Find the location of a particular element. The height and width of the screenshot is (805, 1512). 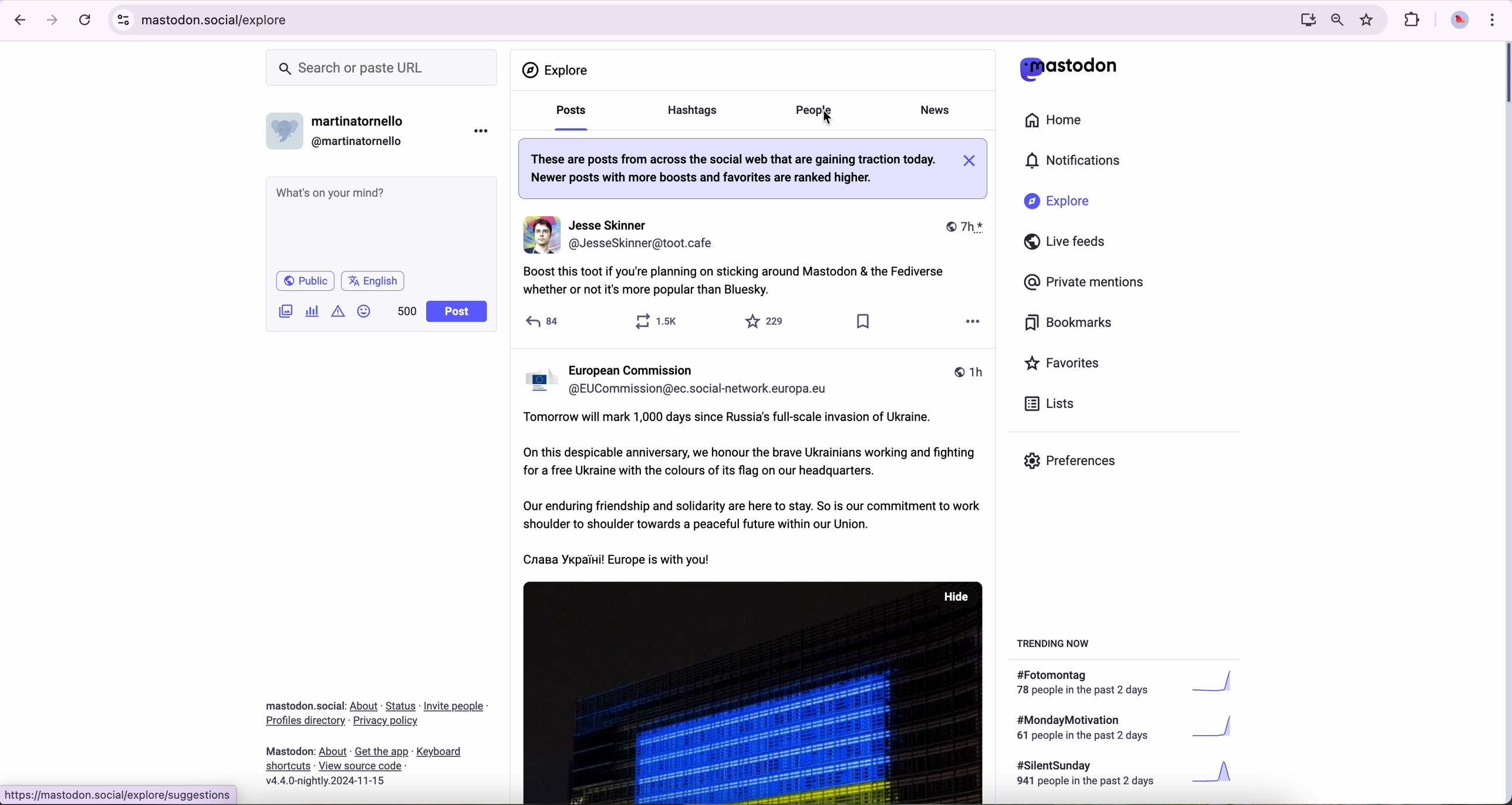

navigate foward is located at coordinates (53, 21).